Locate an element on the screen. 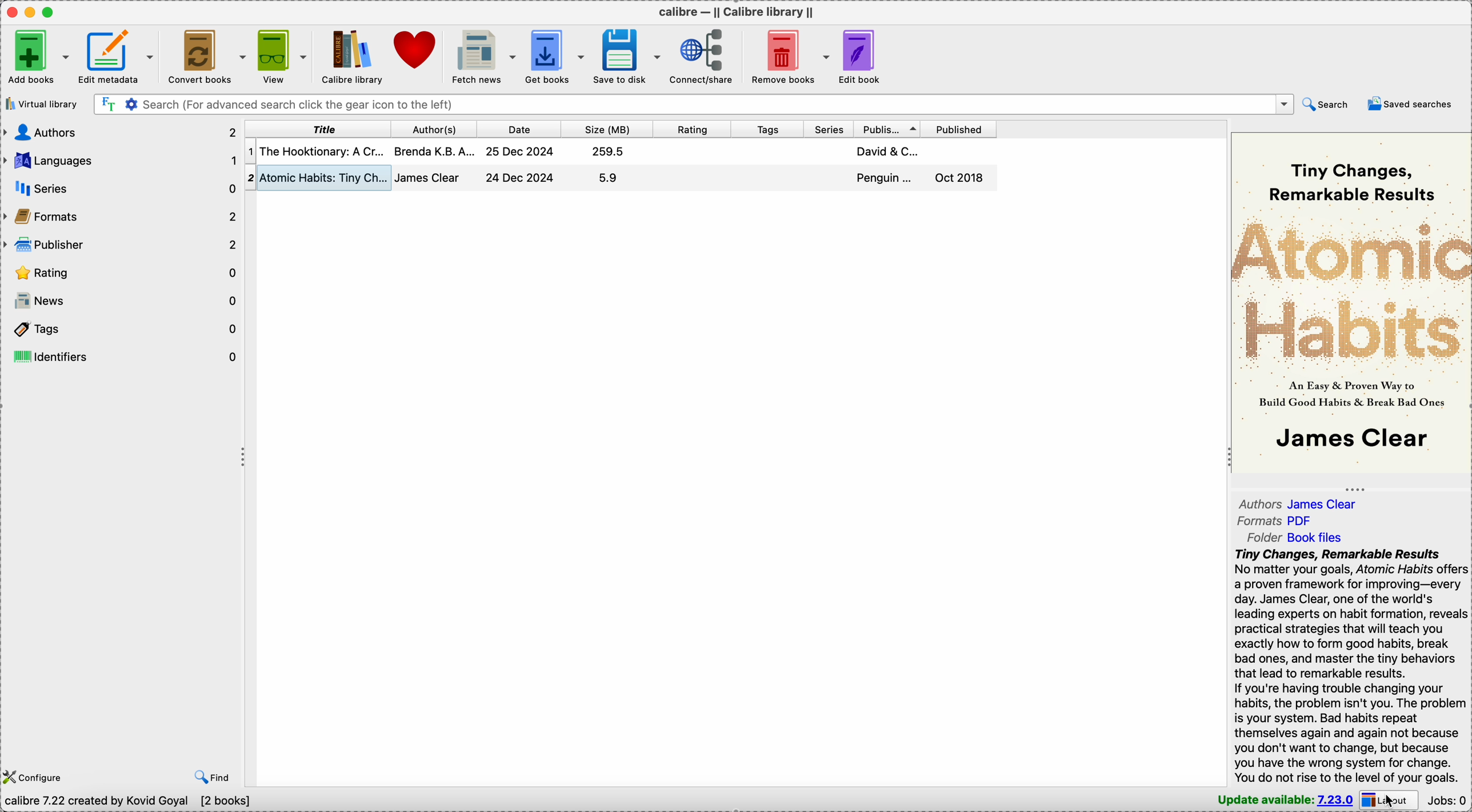 The image size is (1472, 812). series is located at coordinates (829, 129).